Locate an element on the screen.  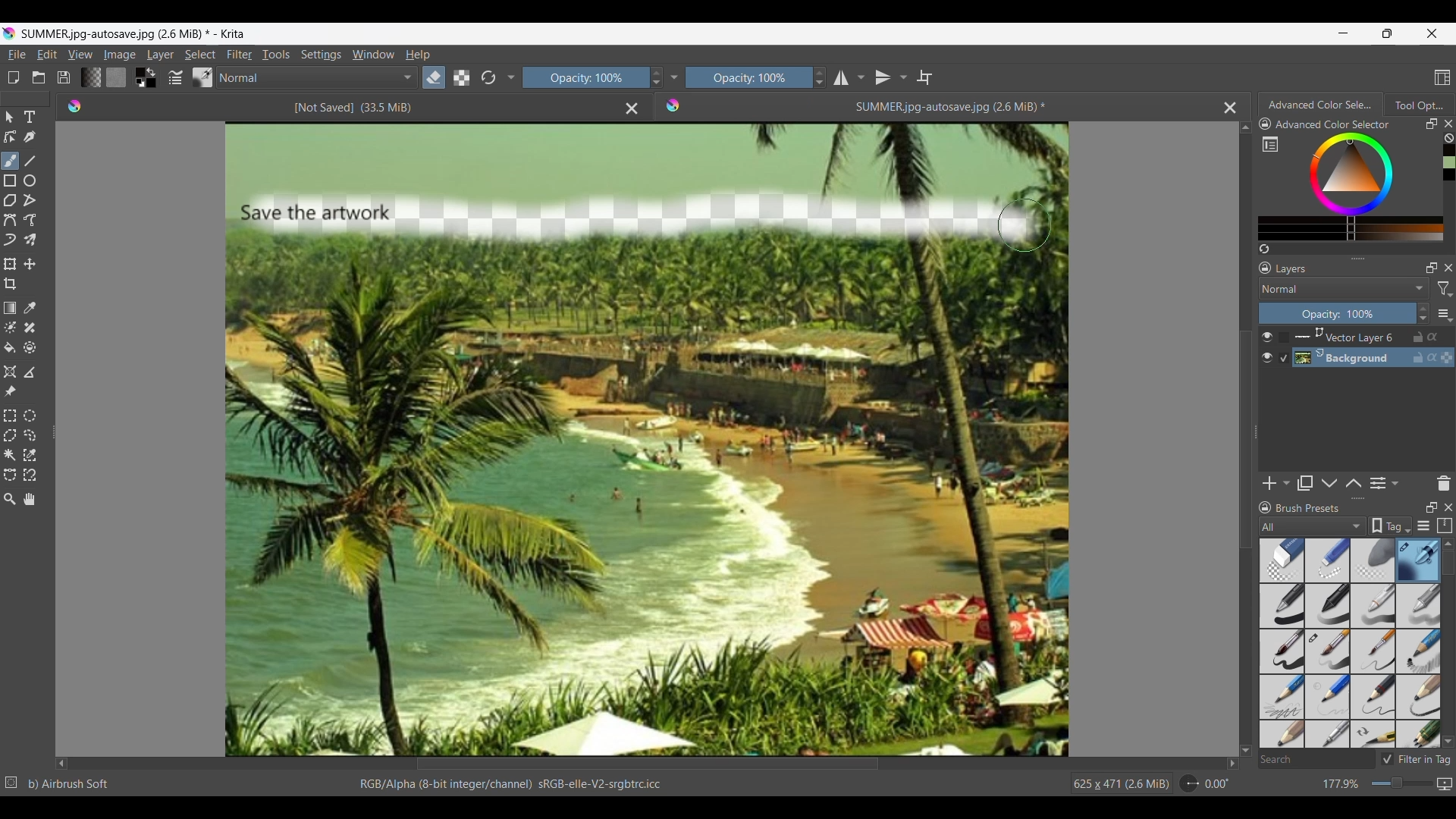
Quick slide to bottom is located at coordinates (1245, 751).